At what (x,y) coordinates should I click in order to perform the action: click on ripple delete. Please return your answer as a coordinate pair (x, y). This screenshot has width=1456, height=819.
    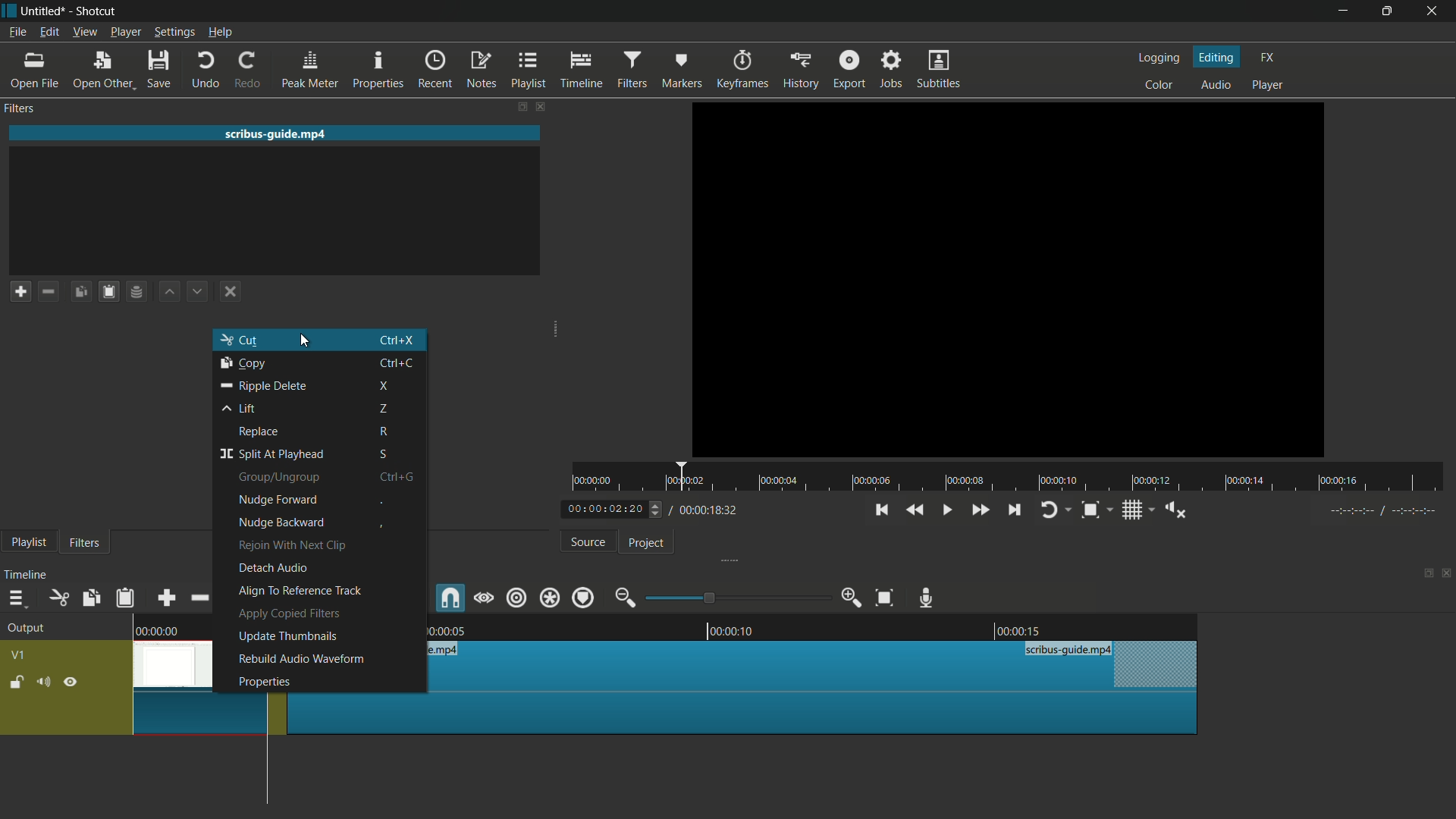
    Looking at the image, I should click on (199, 598).